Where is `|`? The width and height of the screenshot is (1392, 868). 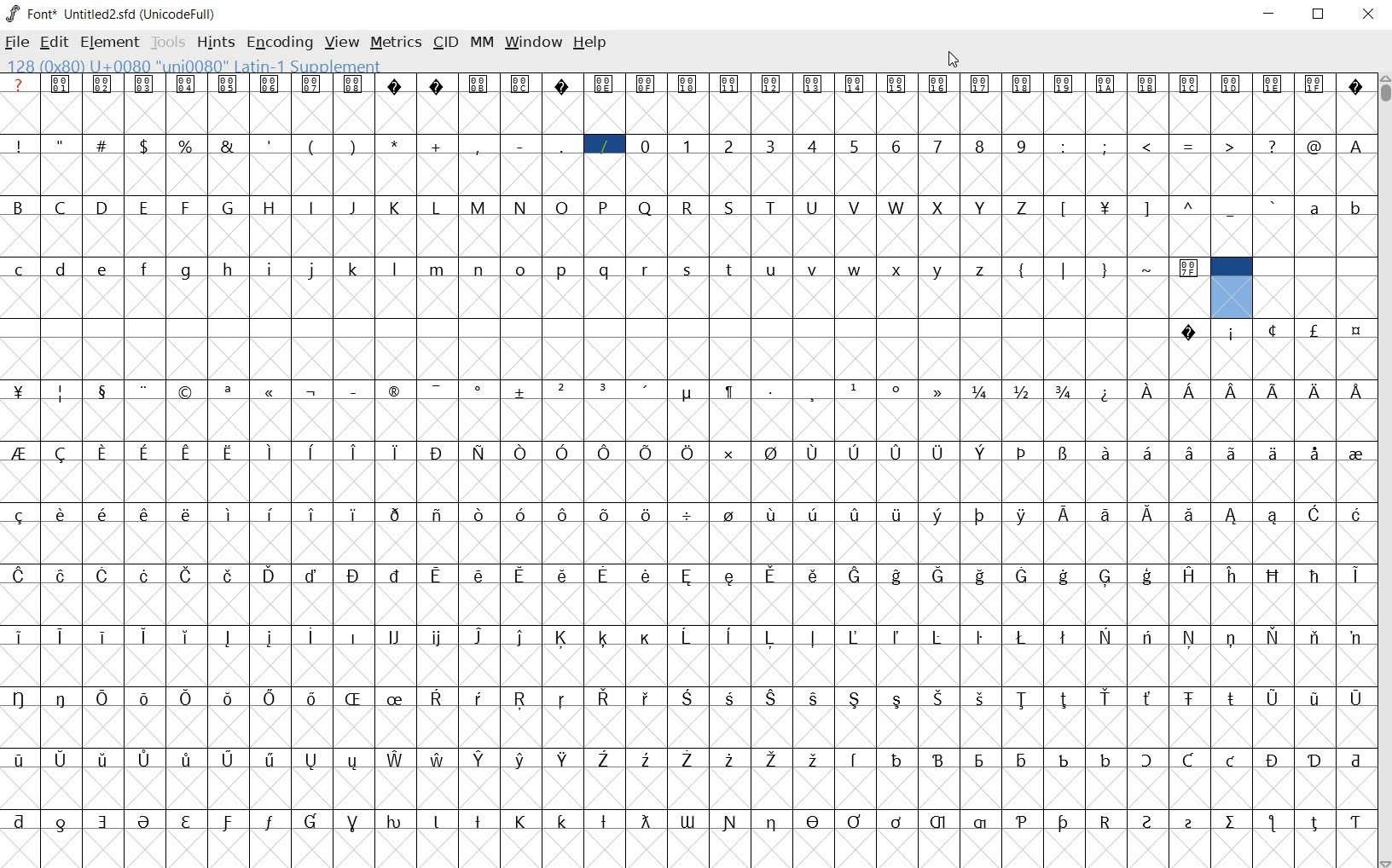 | is located at coordinates (1066, 269).